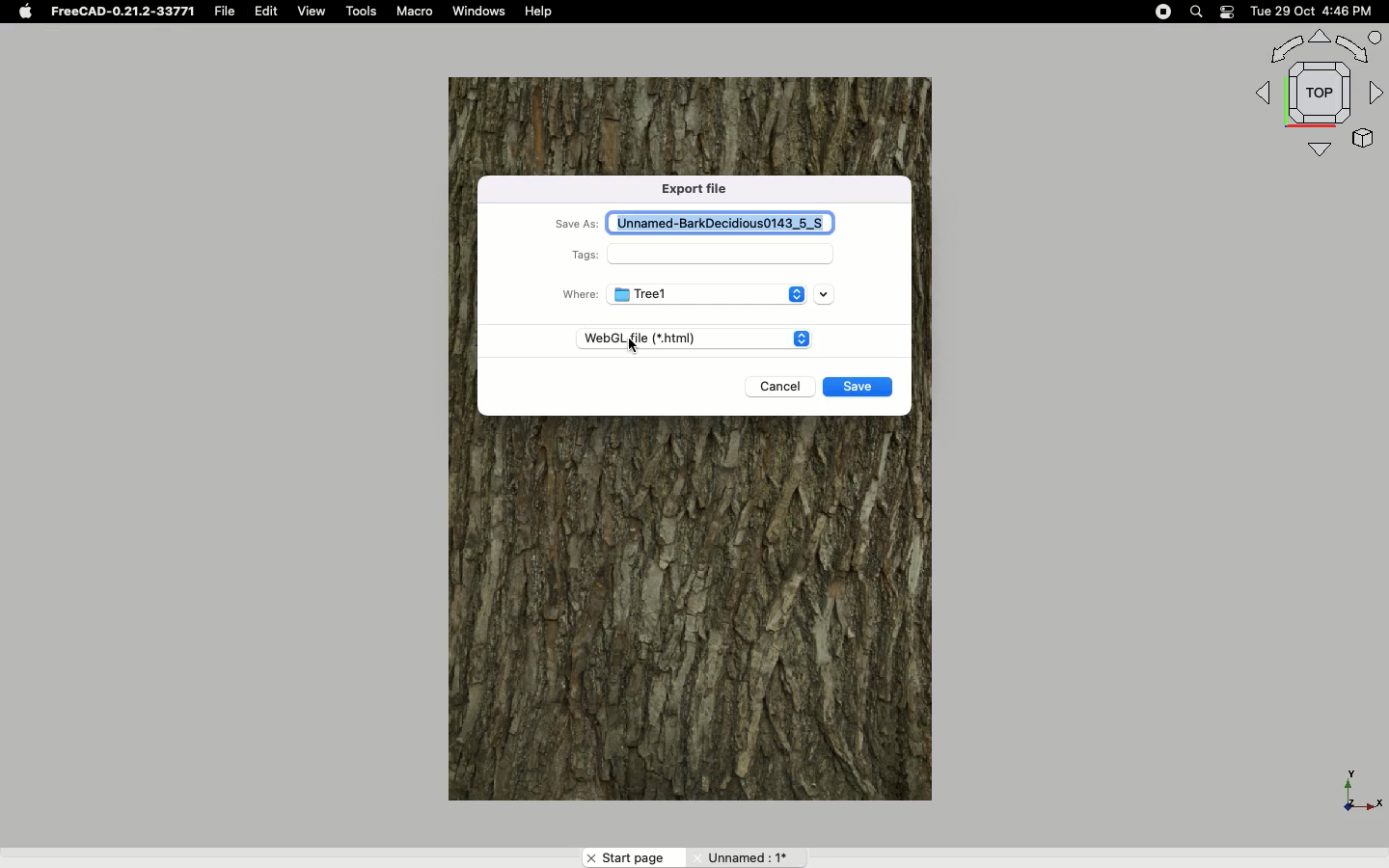  What do you see at coordinates (1227, 12) in the screenshot?
I see `Notification` at bounding box center [1227, 12].